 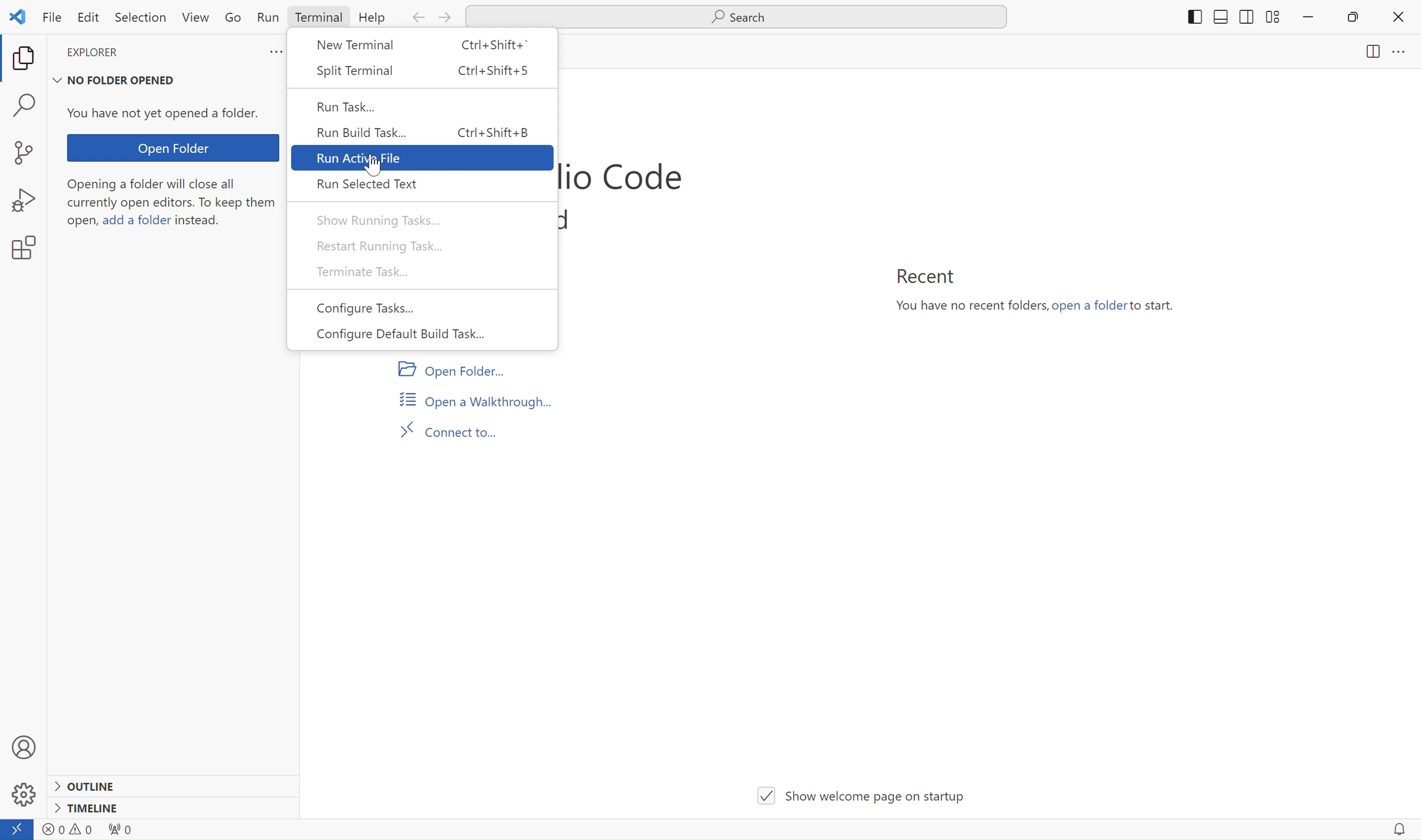 What do you see at coordinates (24, 196) in the screenshot?
I see `bug` at bounding box center [24, 196].